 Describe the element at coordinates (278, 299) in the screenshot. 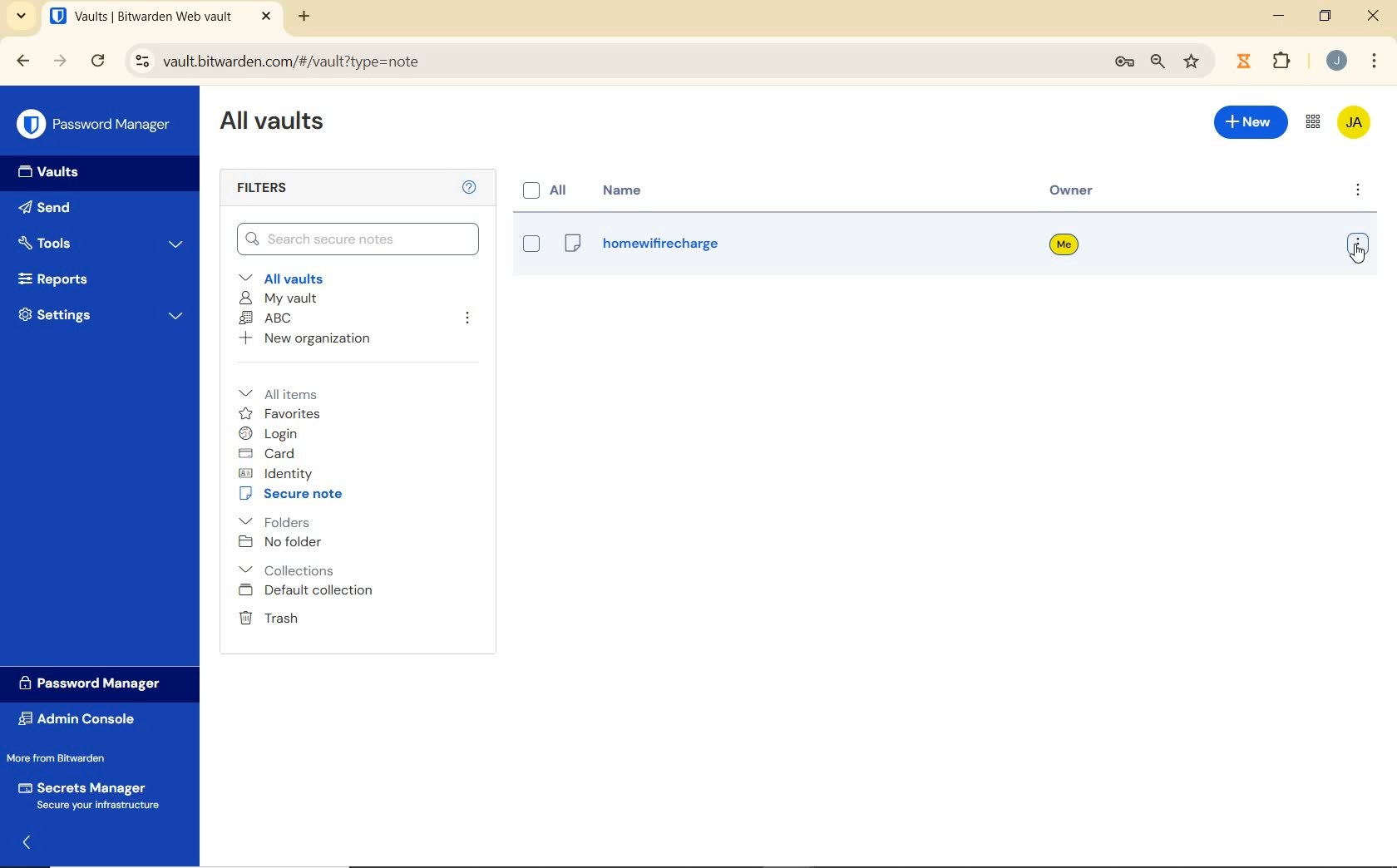

I see `My Vault` at that location.